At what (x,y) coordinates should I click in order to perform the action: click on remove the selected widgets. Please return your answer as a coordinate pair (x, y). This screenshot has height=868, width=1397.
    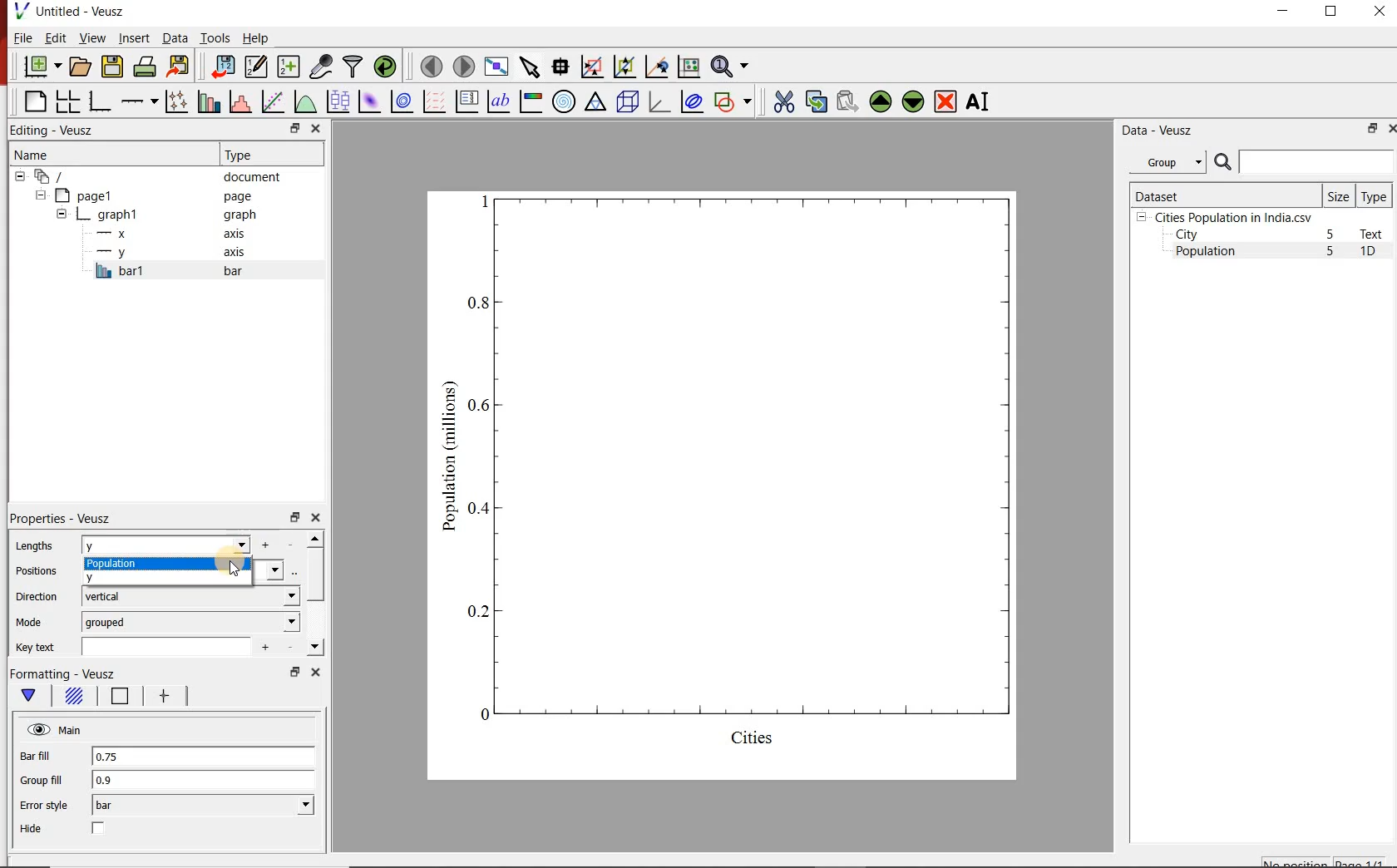
    Looking at the image, I should click on (947, 101).